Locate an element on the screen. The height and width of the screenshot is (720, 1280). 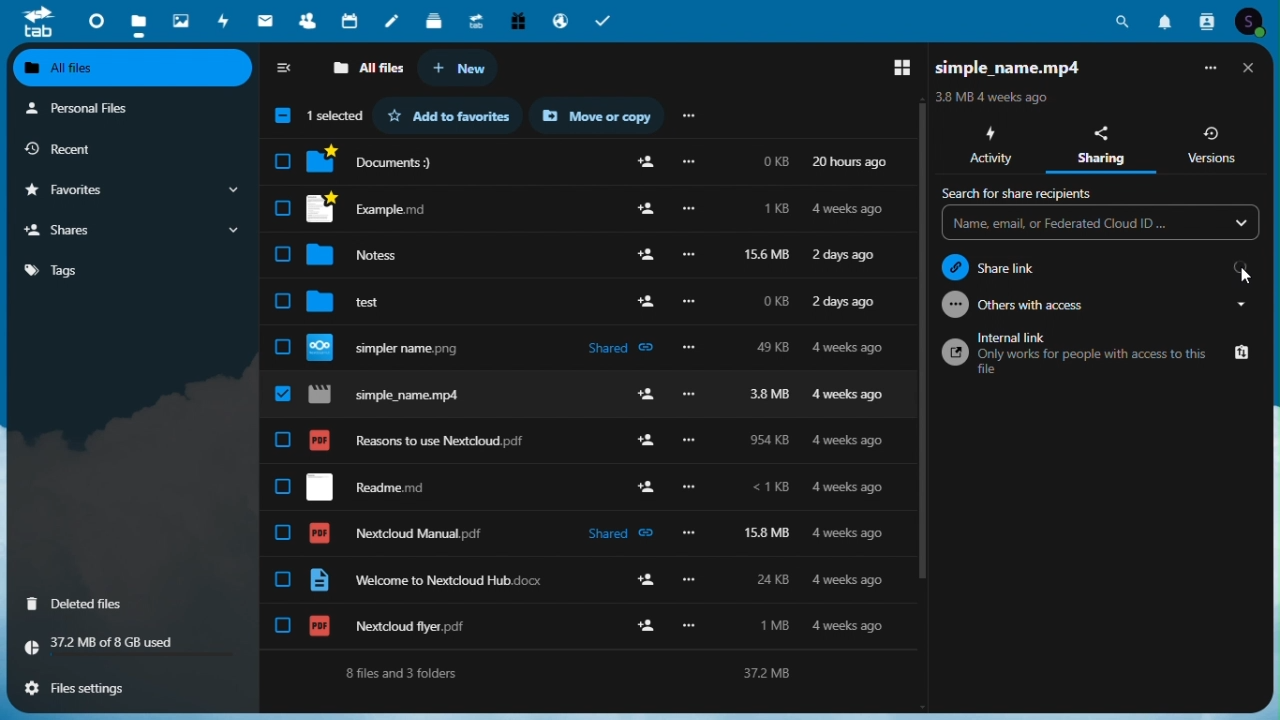
cursor is located at coordinates (1242, 280).